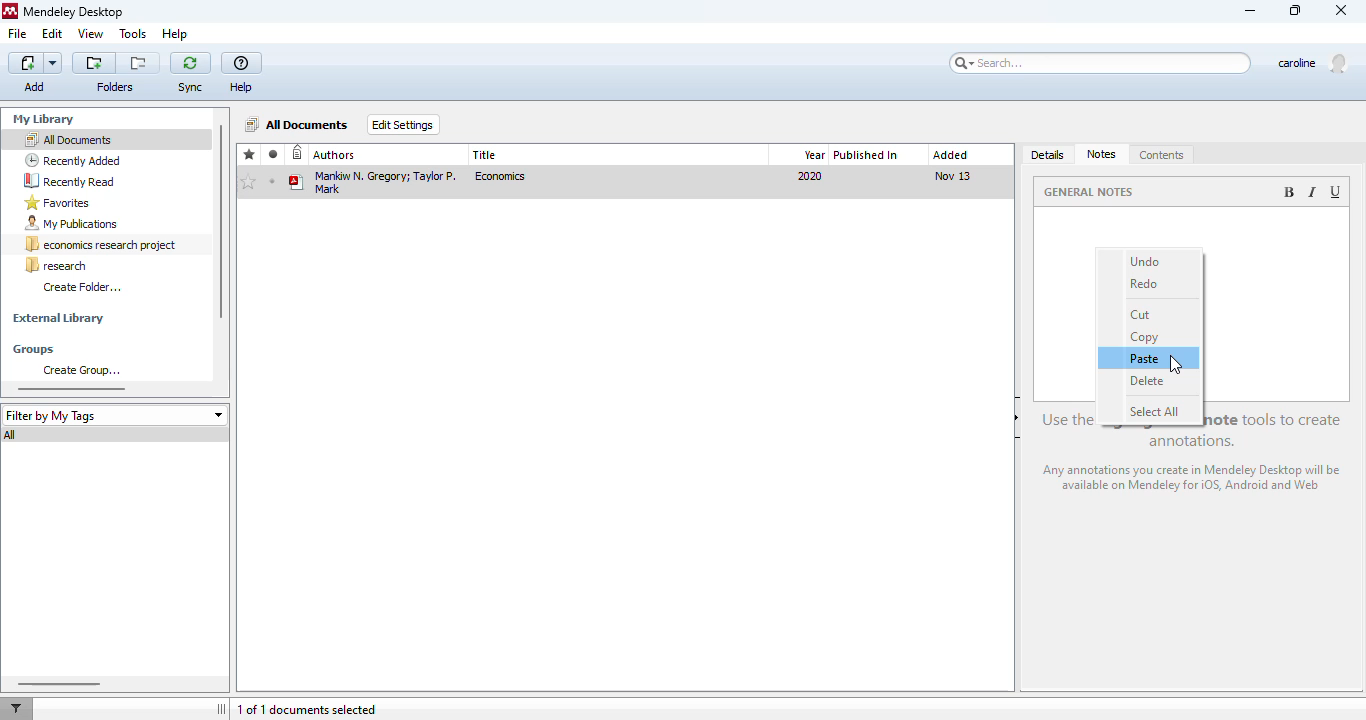 The height and width of the screenshot is (720, 1366). What do you see at coordinates (1311, 192) in the screenshot?
I see `italic` at bounding box center [1311, 192].